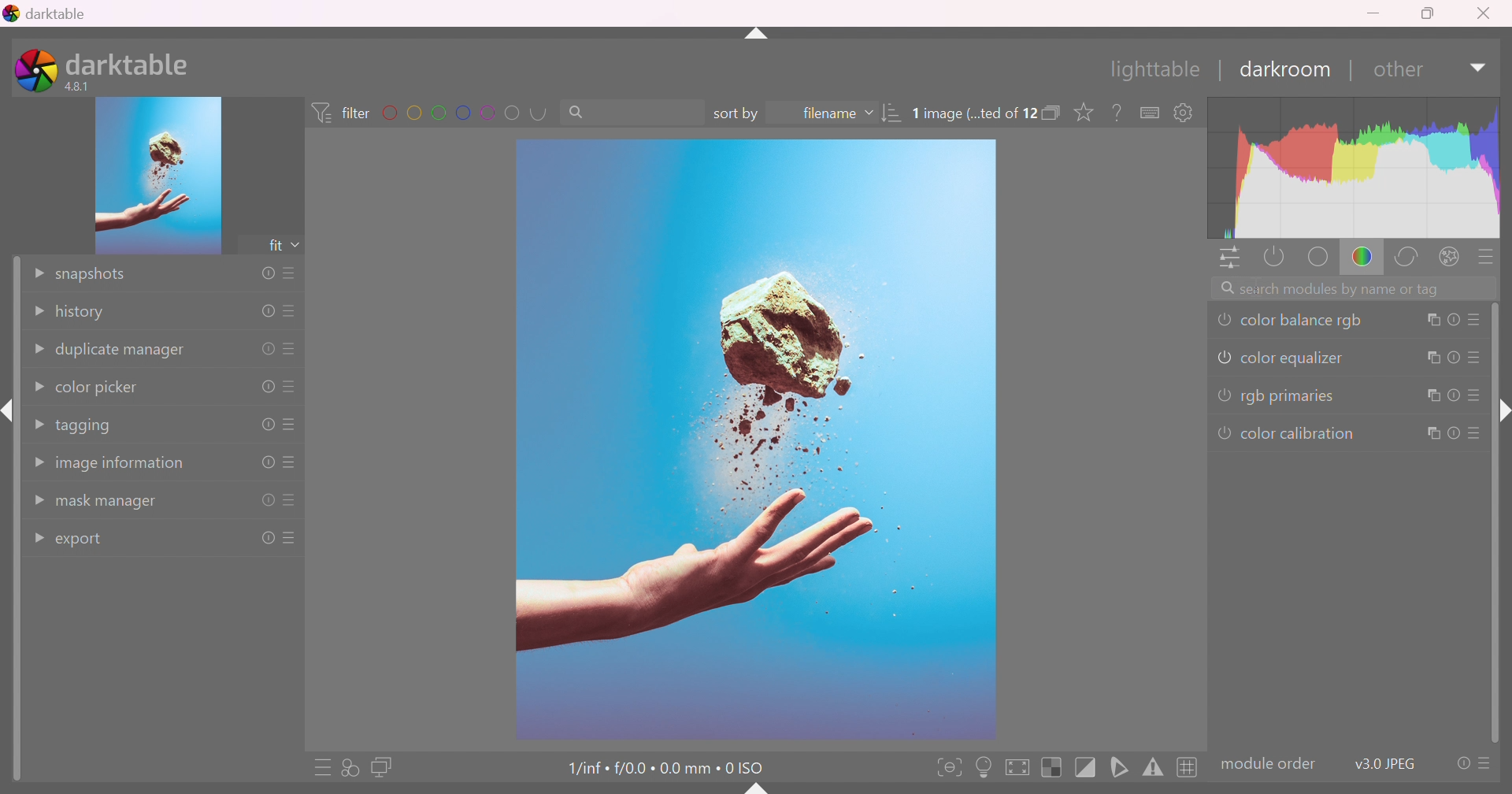 Image resolution: width=1512 pixels, height=794 pixels. I want to click on Drop Down, so click(35, 388).